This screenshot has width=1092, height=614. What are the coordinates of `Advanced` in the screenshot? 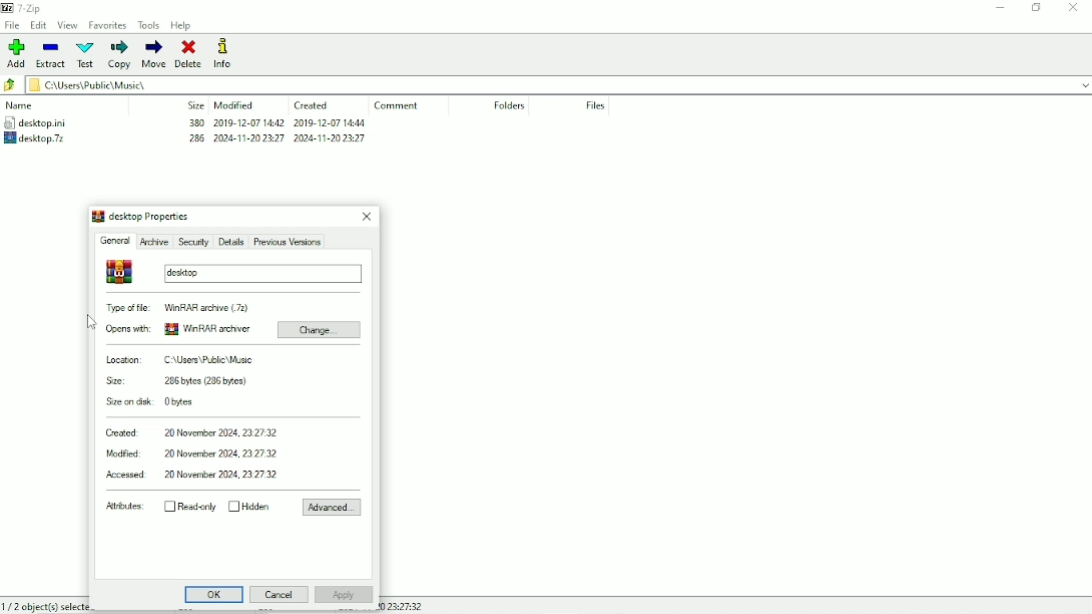 It's located at (331, 508).